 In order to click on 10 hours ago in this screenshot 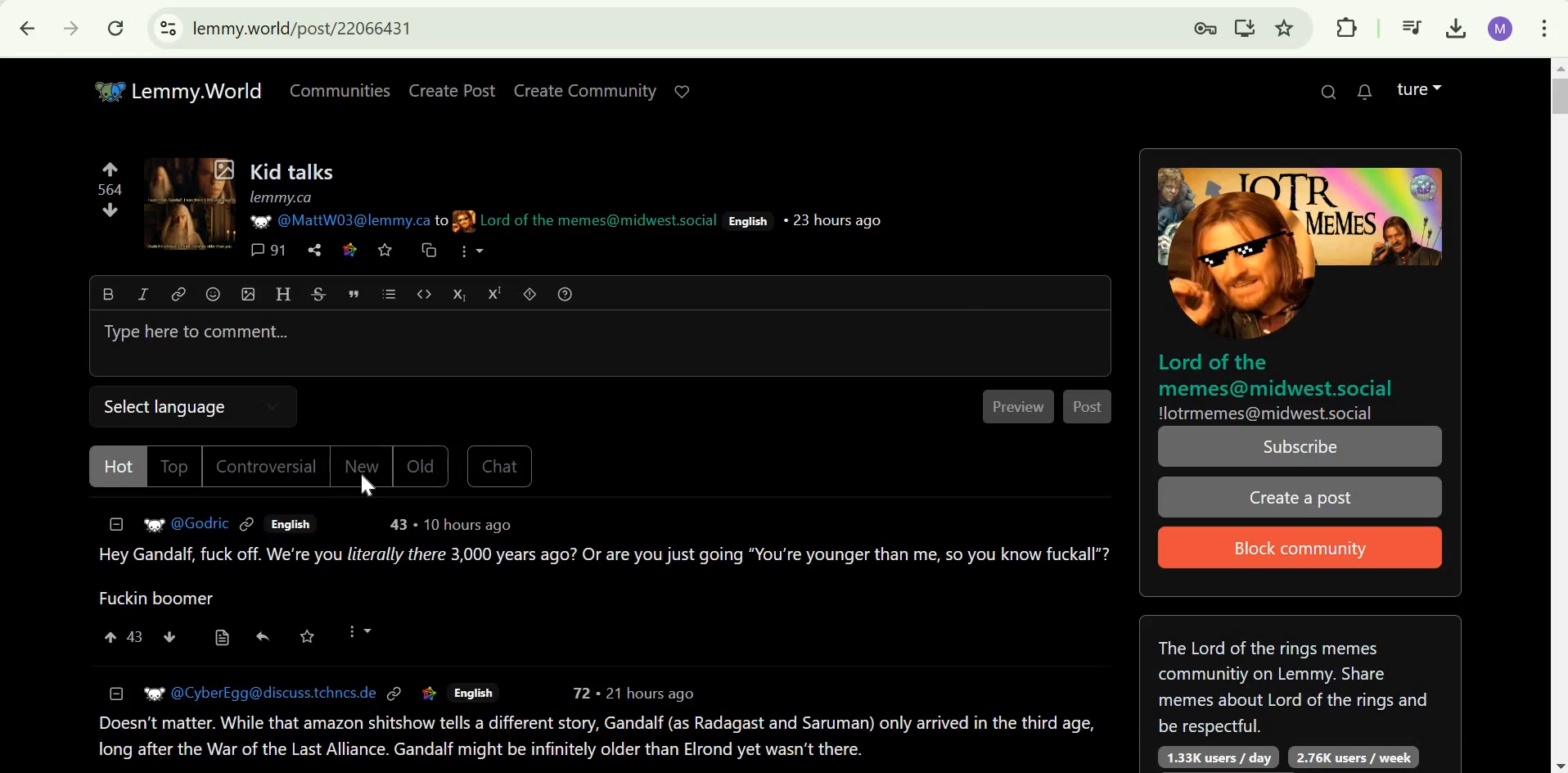, I will do `click(469, 525)`.